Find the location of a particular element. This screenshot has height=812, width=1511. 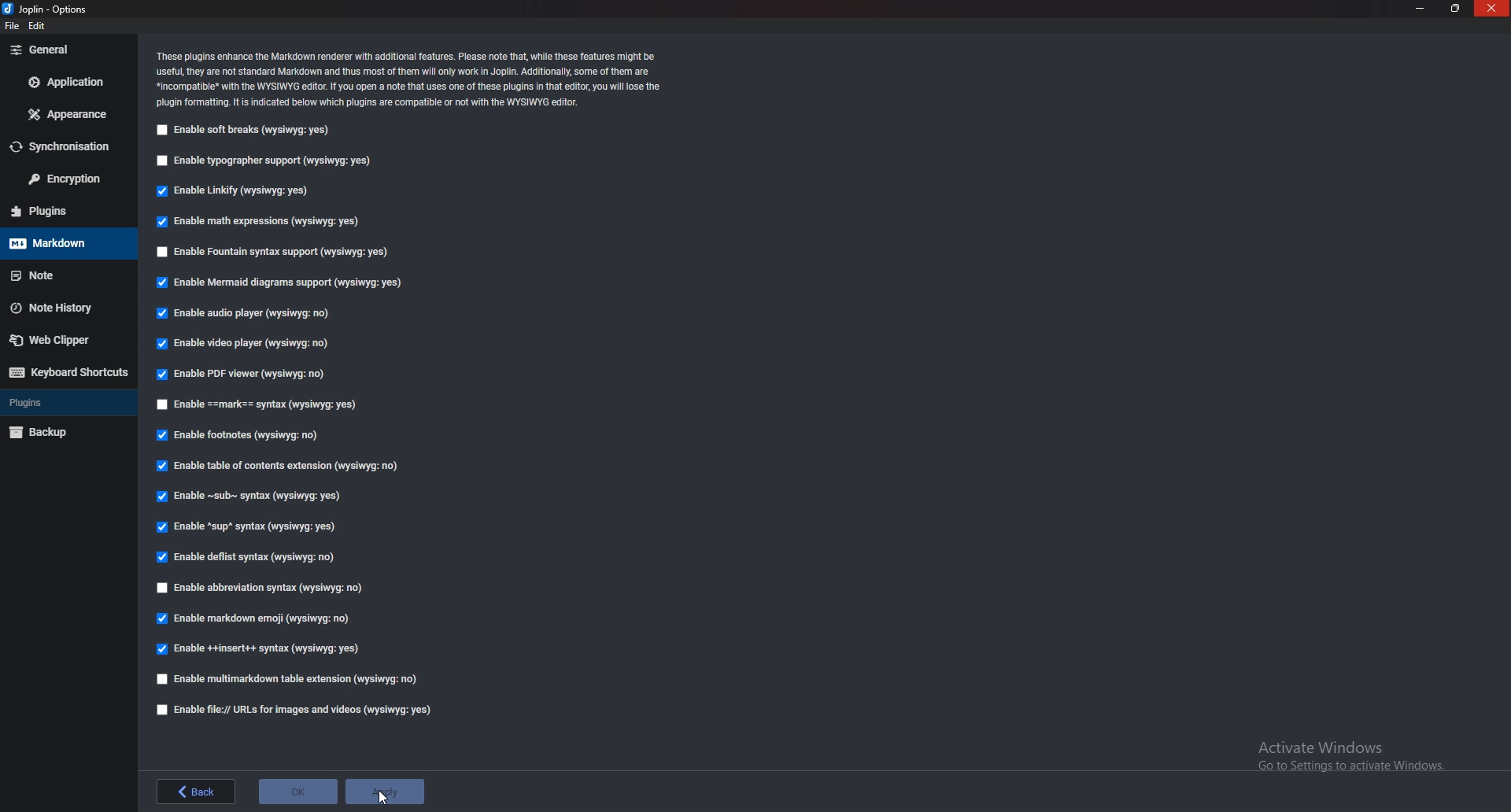

Enable multi markdown table extension is located at coordinates (294, 678).